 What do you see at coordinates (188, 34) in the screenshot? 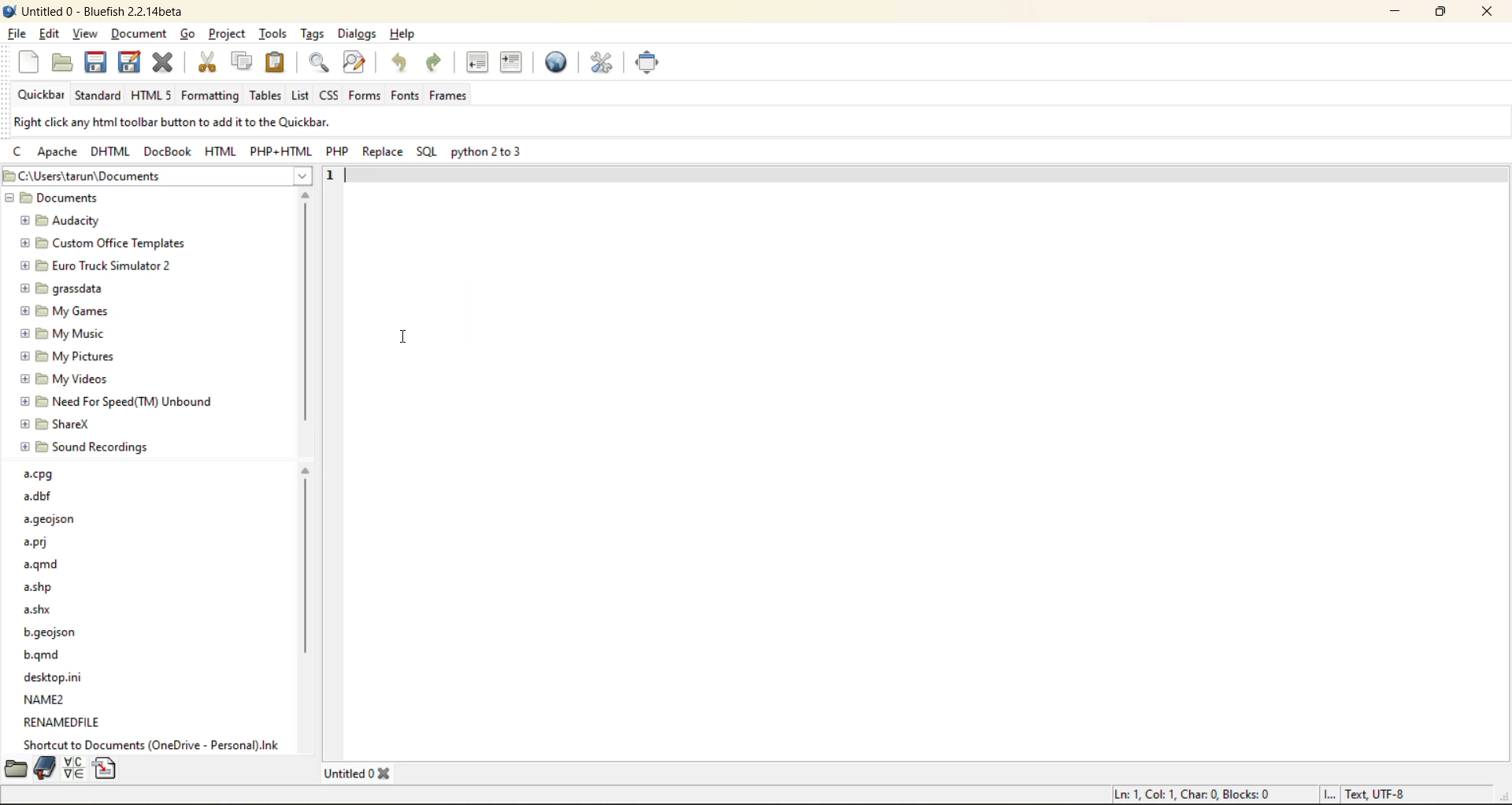
I see `go` at bounding box center [188, 34].